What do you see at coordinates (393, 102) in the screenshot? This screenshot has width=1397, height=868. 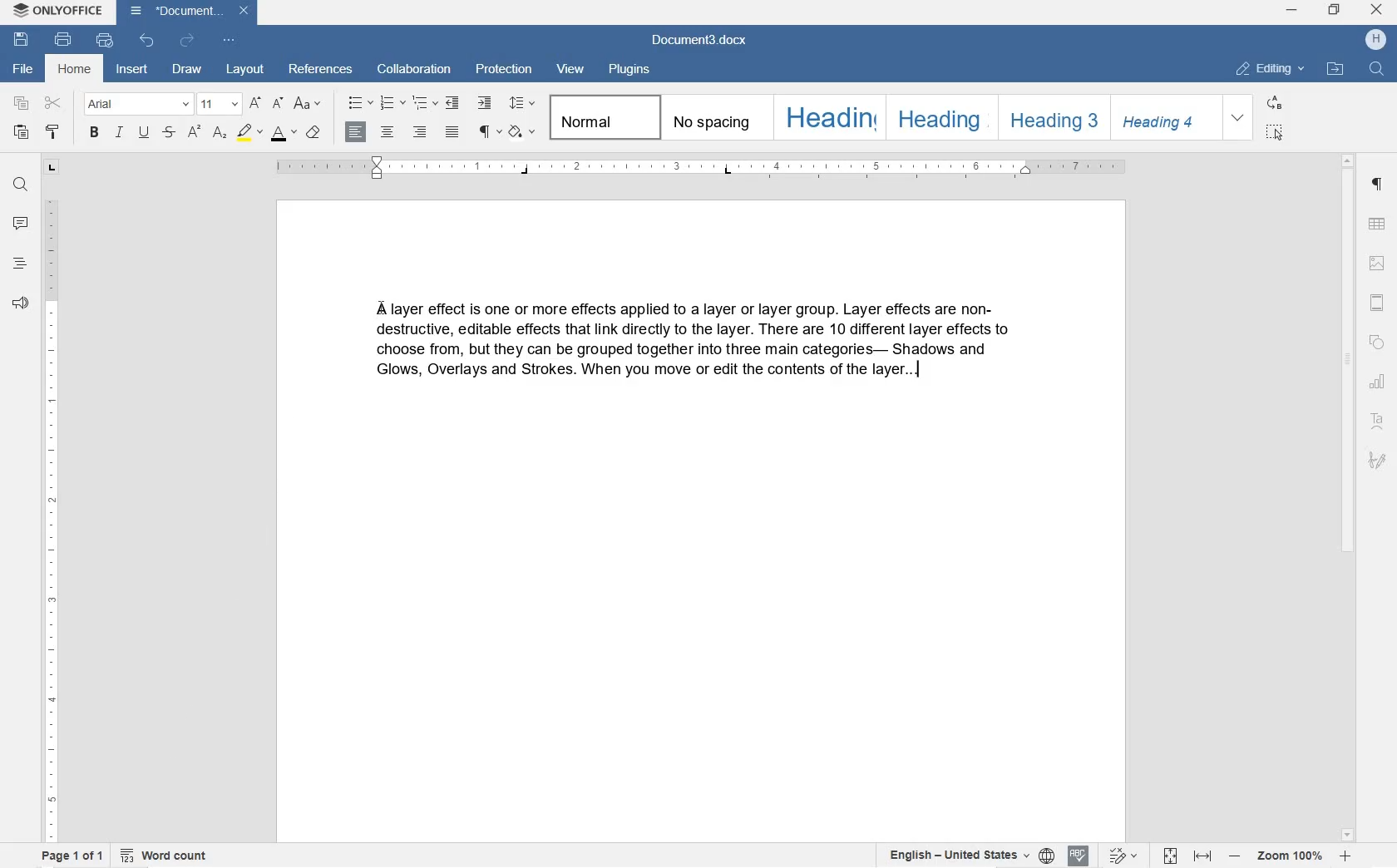 I see `NUMBERING` at bounding box center [393, 102].